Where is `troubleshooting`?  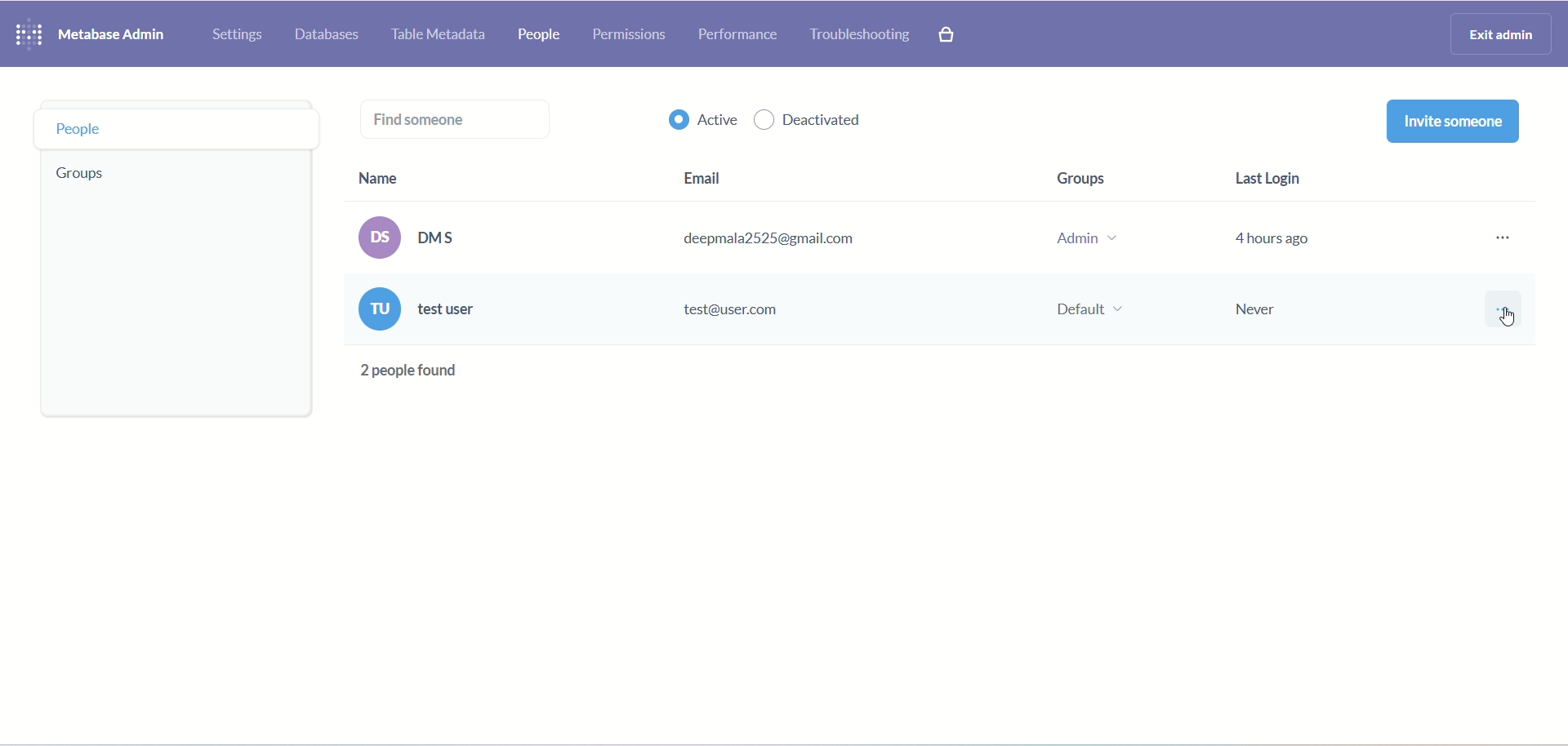
troubleshooting is located at coordinates (858, 34).